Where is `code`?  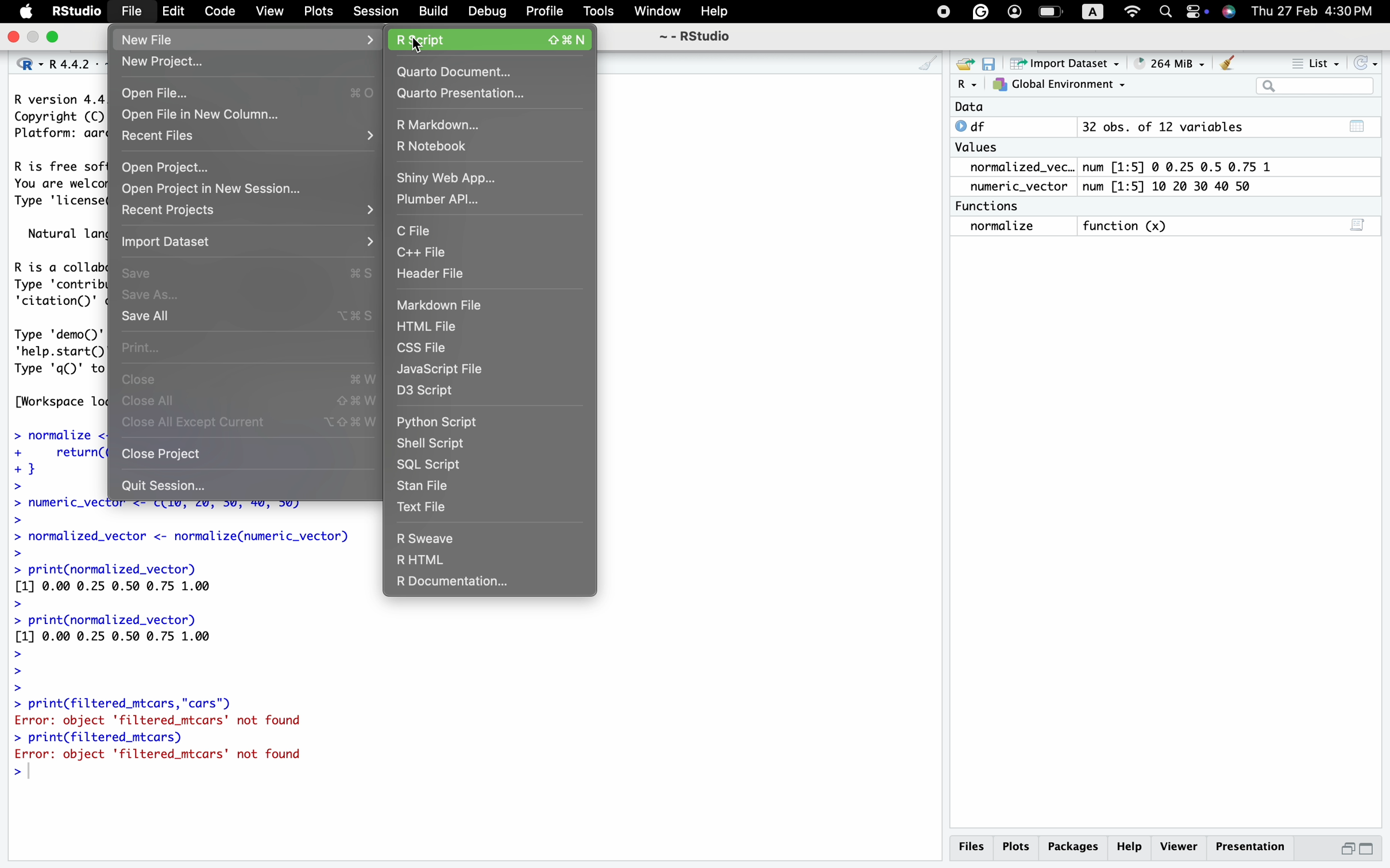
code is located at coordinates (218, 11).